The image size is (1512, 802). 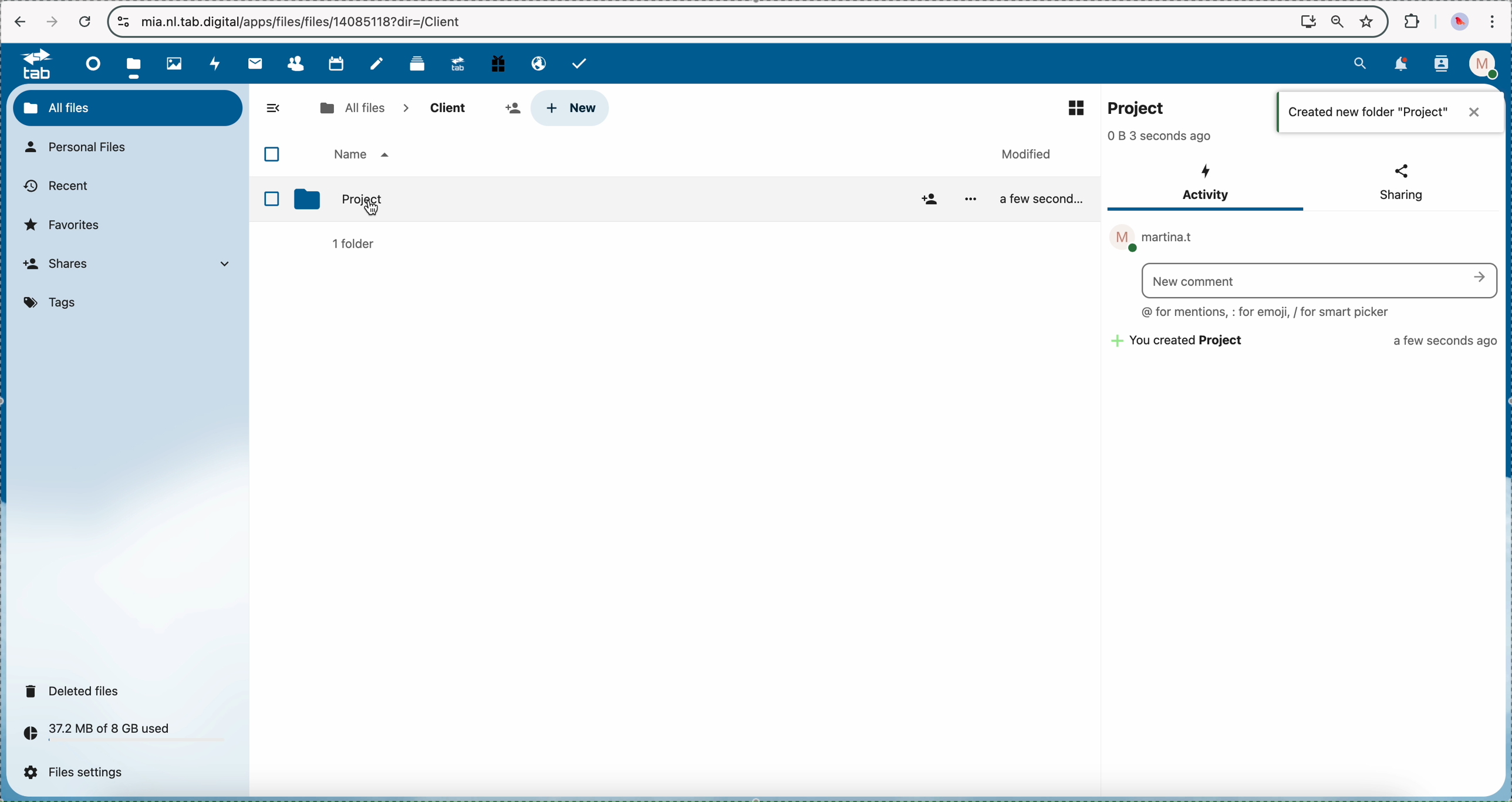 I want to click on screen, so click(x=1308, y=21).